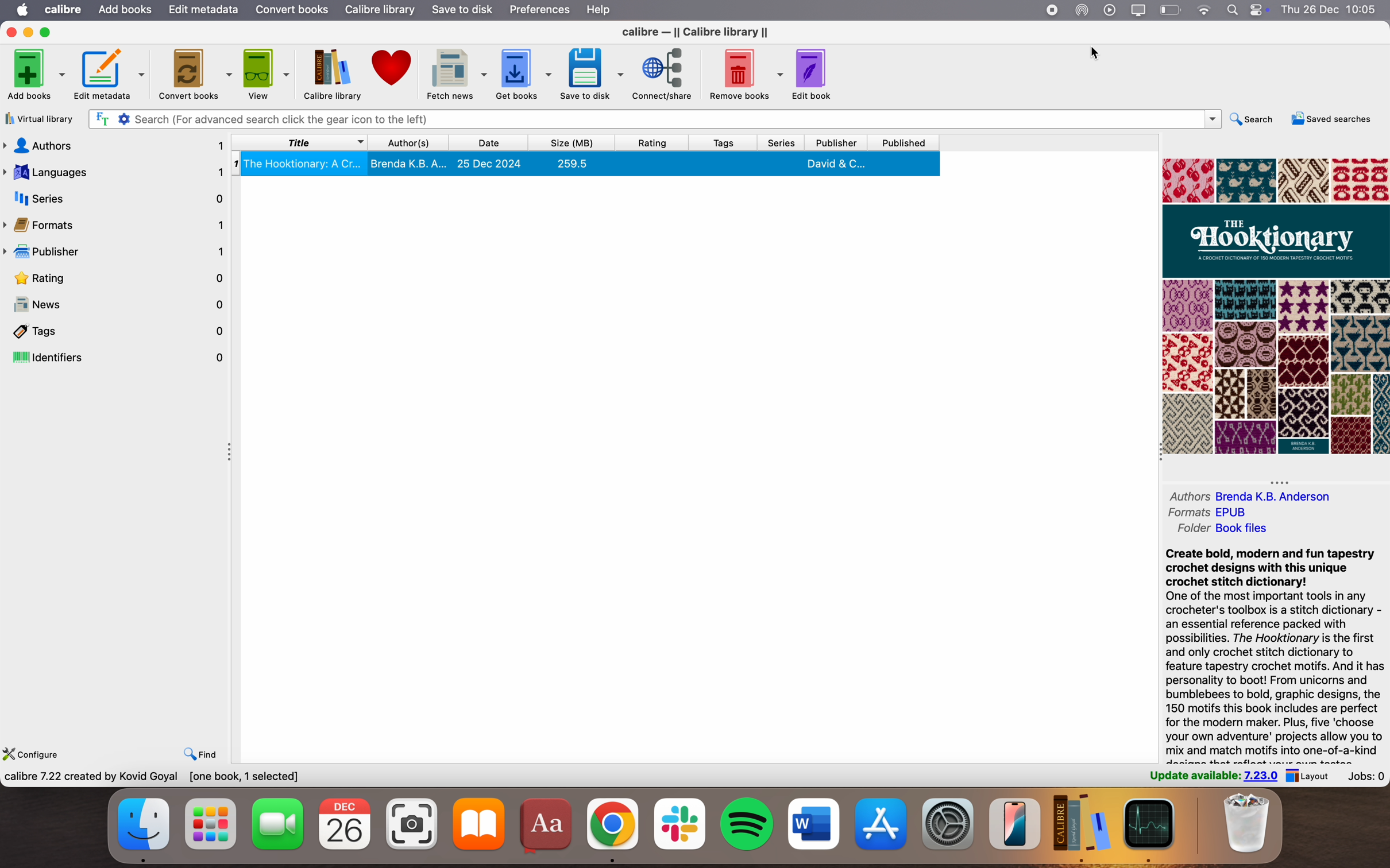 This screenshot has height=868, width=1390. What do you see at coordinates (391, 67) in the screenshot?
I see `donate` at bounding box center [391, 67].